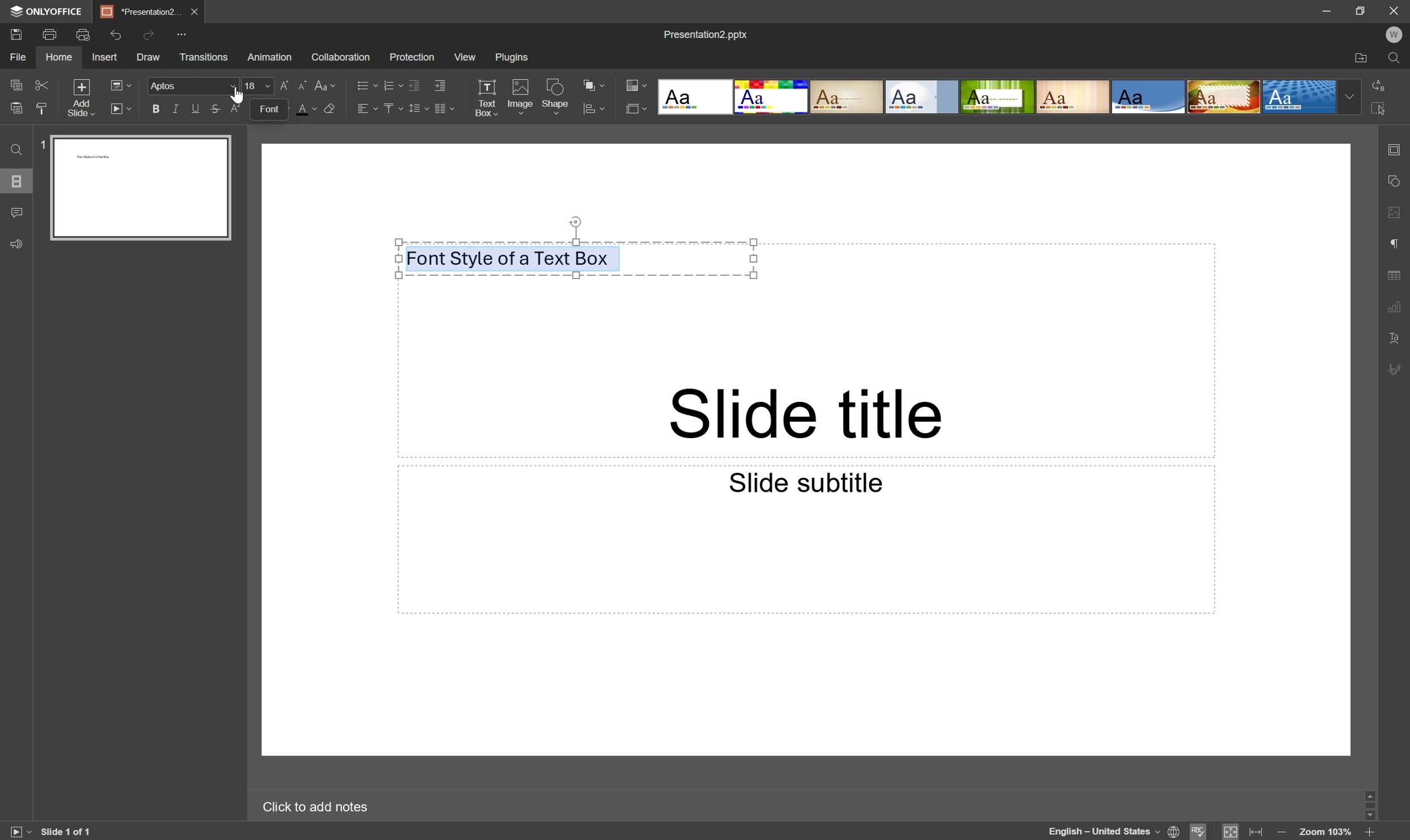 This screenshot has height=840, width=1410. Describe the element at coordinates (707, 34) in the screenshot. I see `Presentation2.pptx` at that location.